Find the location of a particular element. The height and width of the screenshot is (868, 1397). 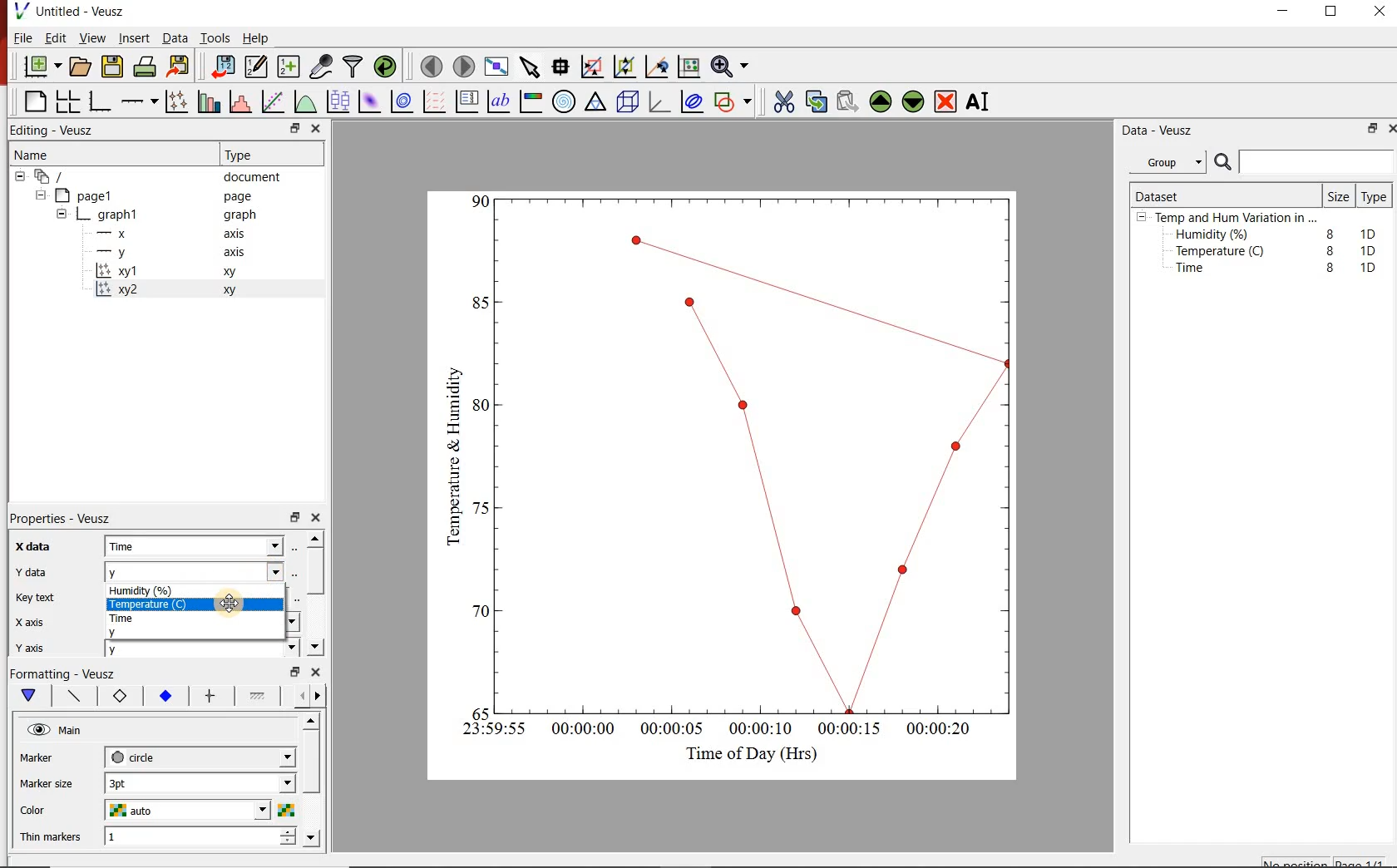

y is located at coordinates (145, 572).